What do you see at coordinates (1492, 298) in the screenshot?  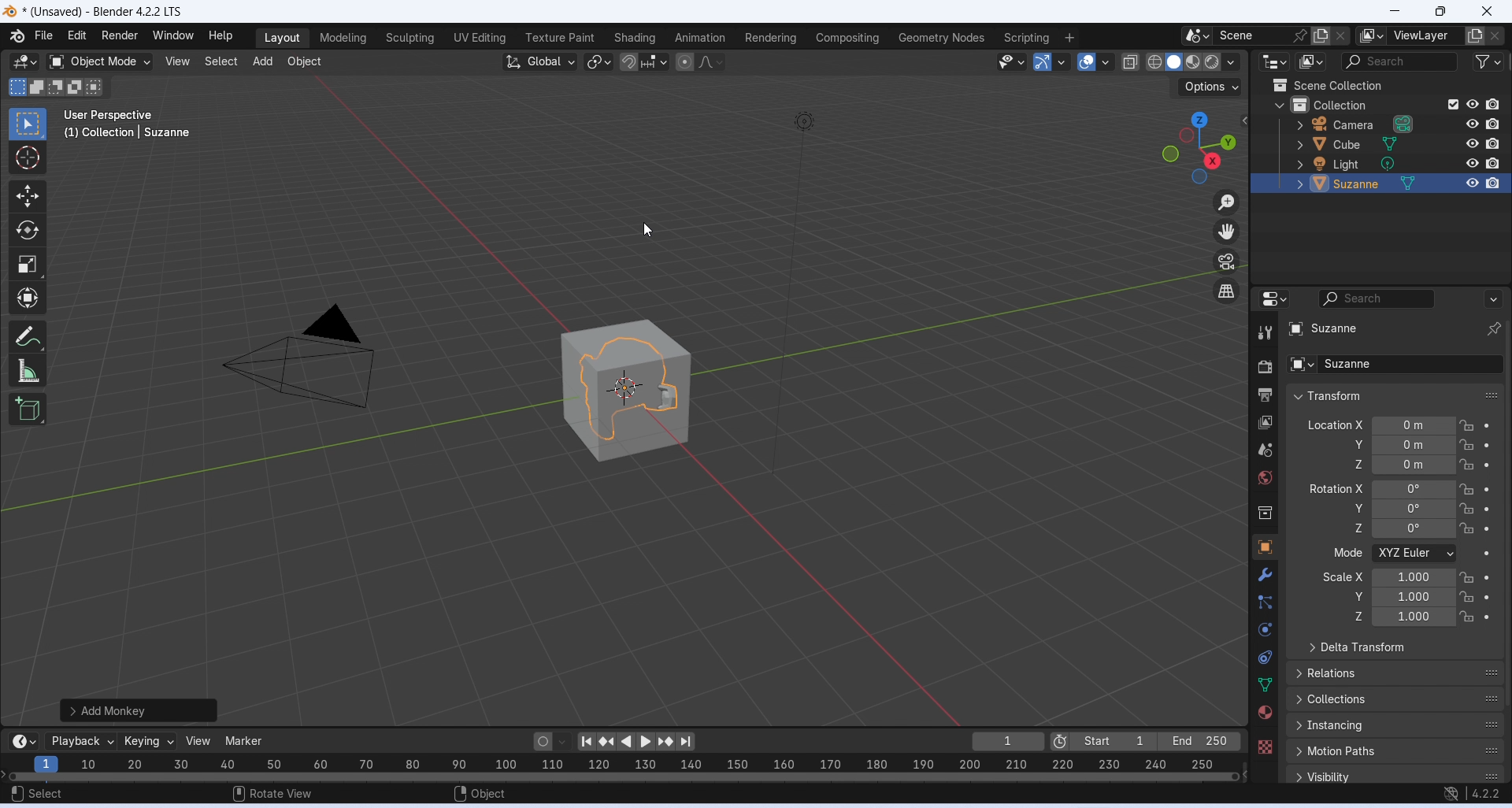 I see `options` at bounding box center [1492, 298].